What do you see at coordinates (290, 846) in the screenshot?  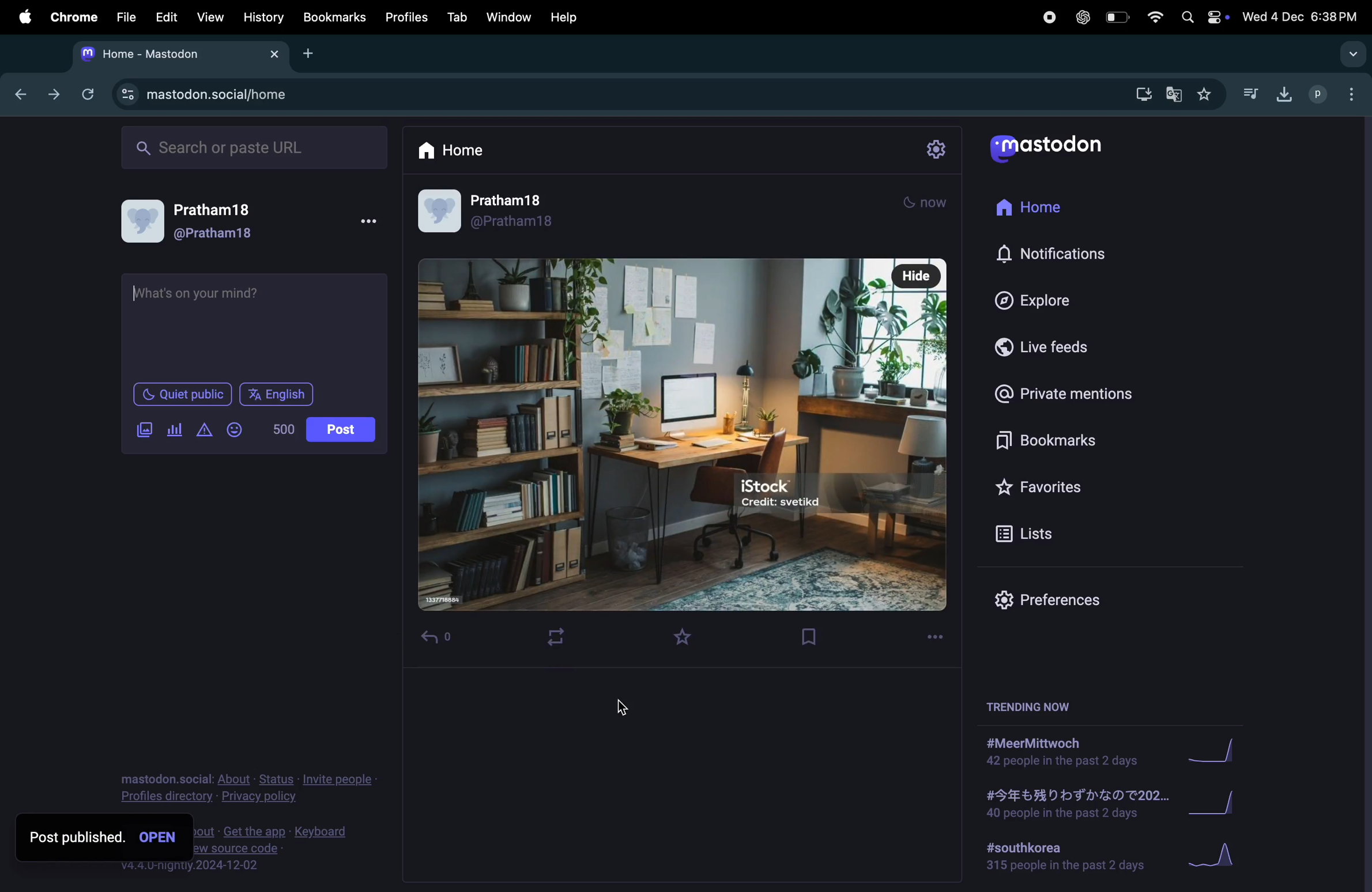 I see `mastdon source code` at bounding box center [290, 846].